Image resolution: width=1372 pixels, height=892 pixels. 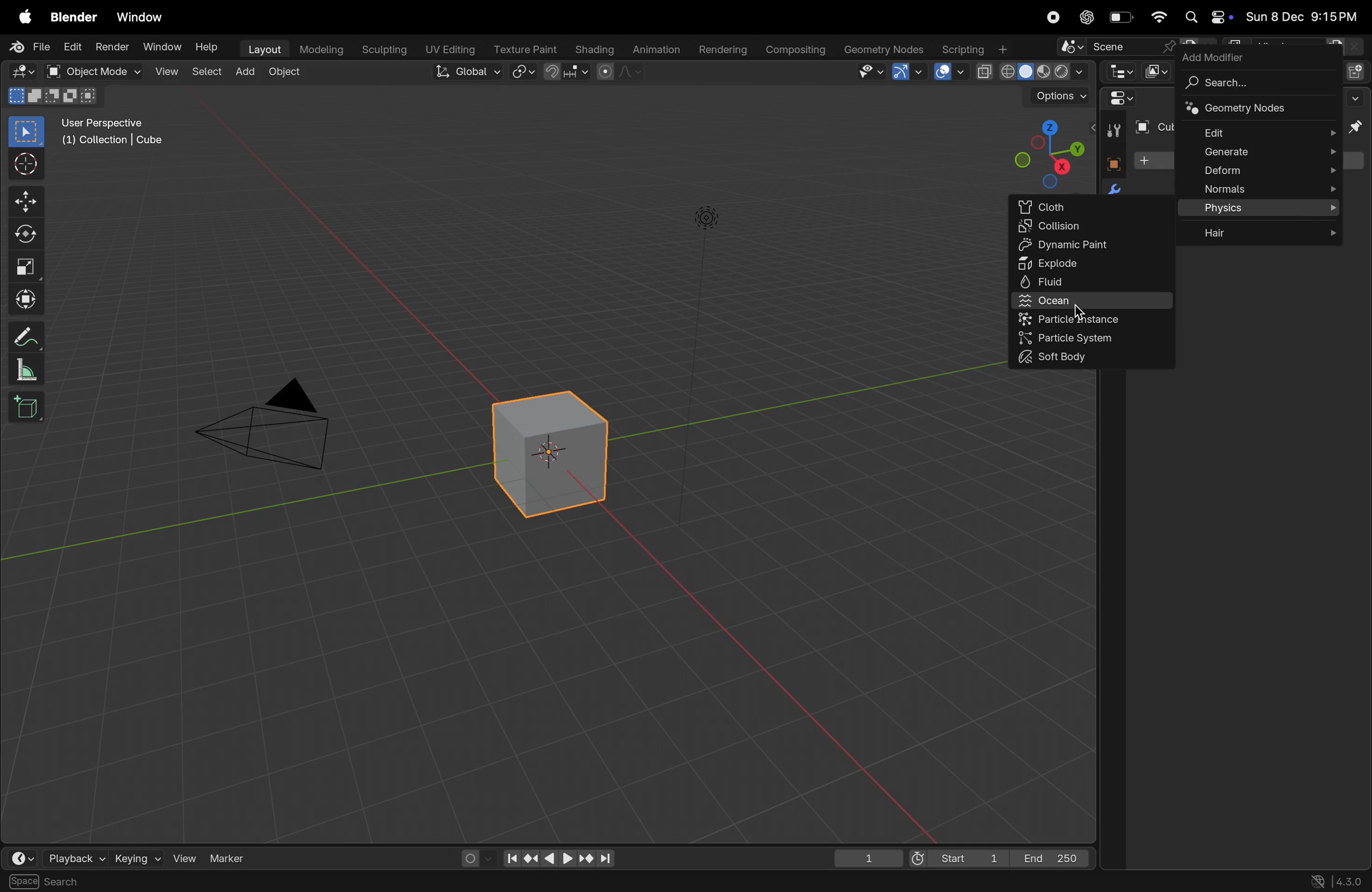 What do you see at coordinates (1058, 97) in the screenshot?
I see `options` at bounding box center [1058, 97].